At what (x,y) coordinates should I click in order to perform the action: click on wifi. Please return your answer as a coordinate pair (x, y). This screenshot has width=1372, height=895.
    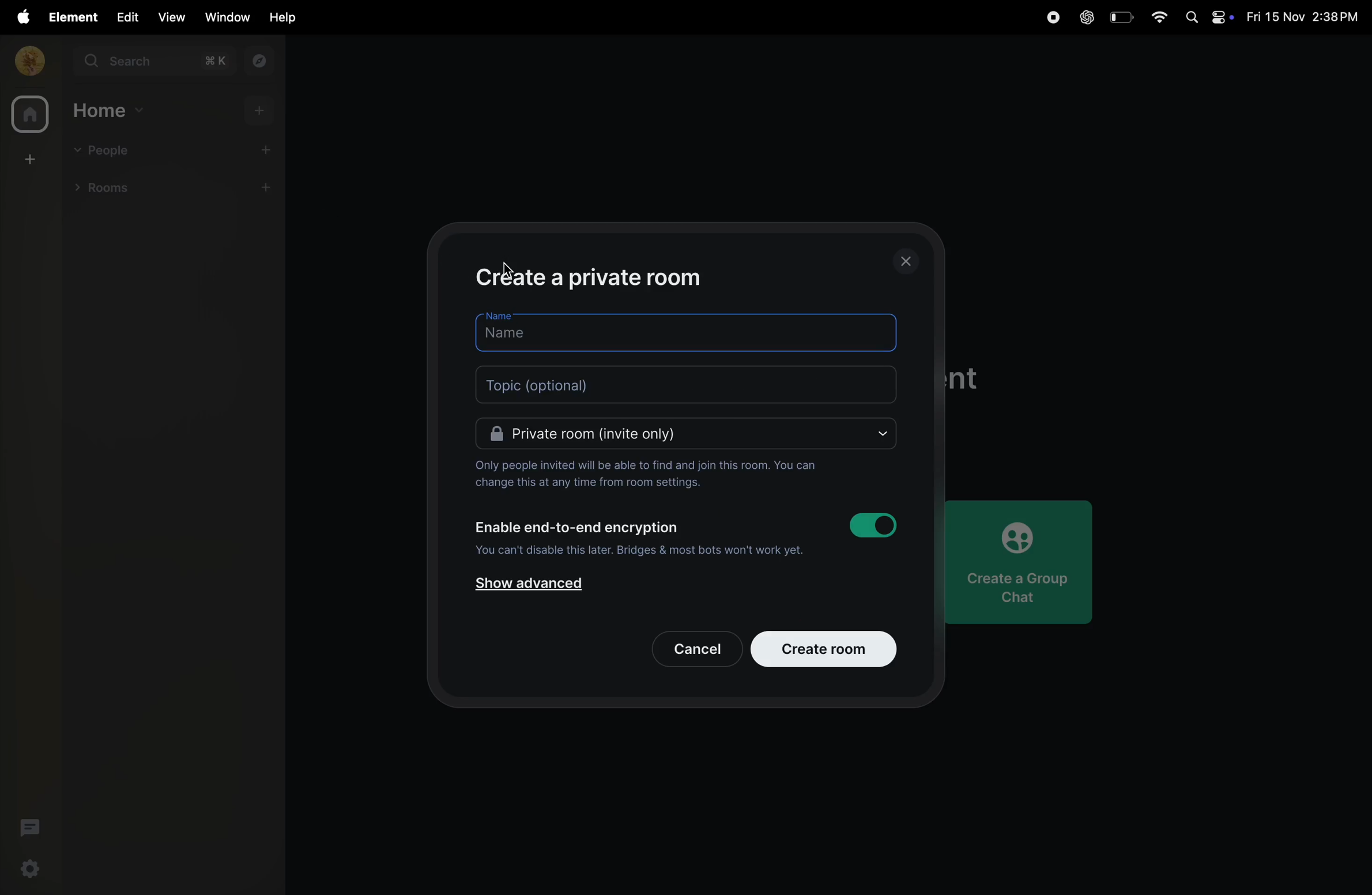
    Looking at the image, I should click on (1155, 16).